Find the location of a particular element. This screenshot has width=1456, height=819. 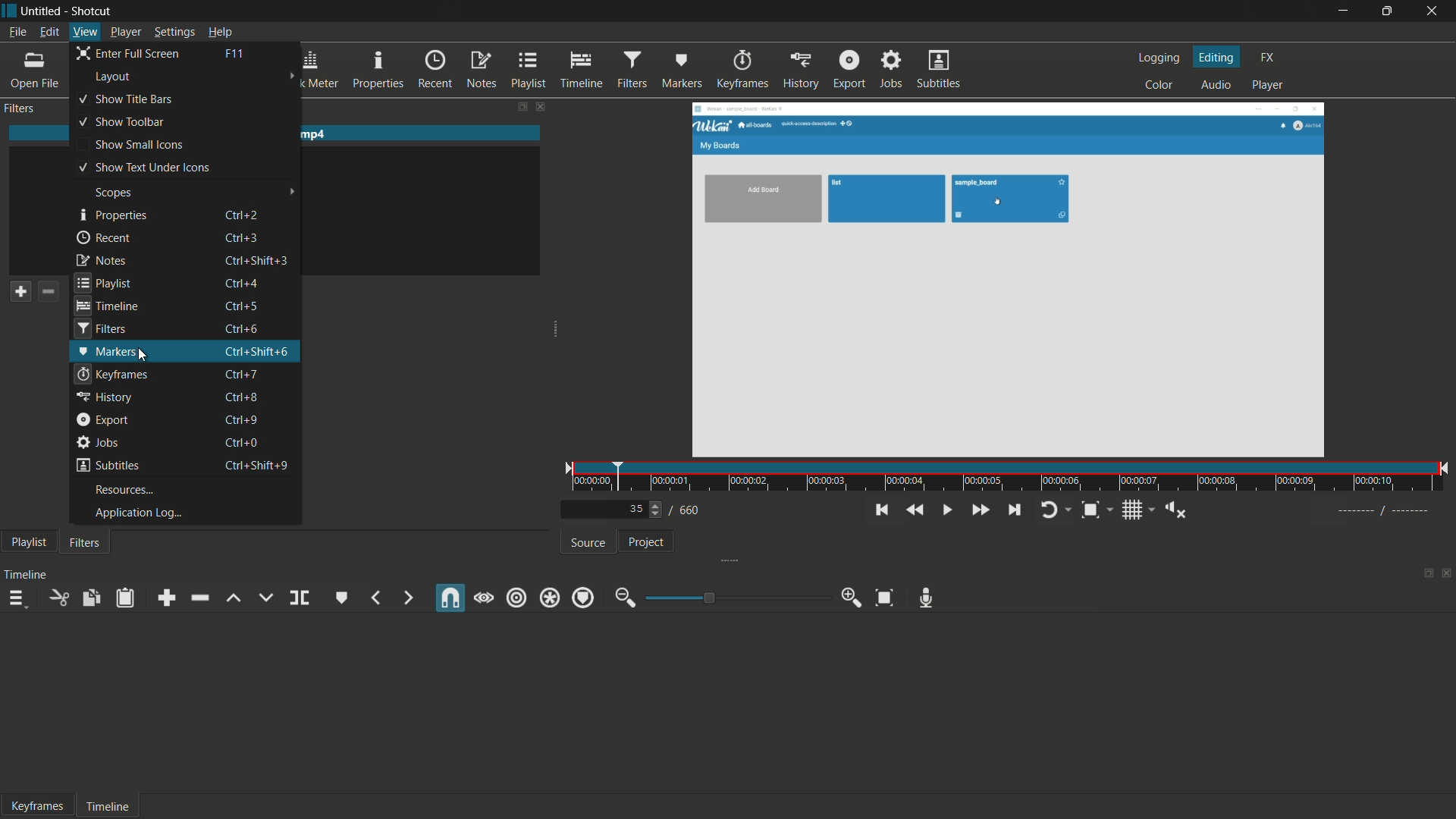

project name is located at coordinates (42, 11).